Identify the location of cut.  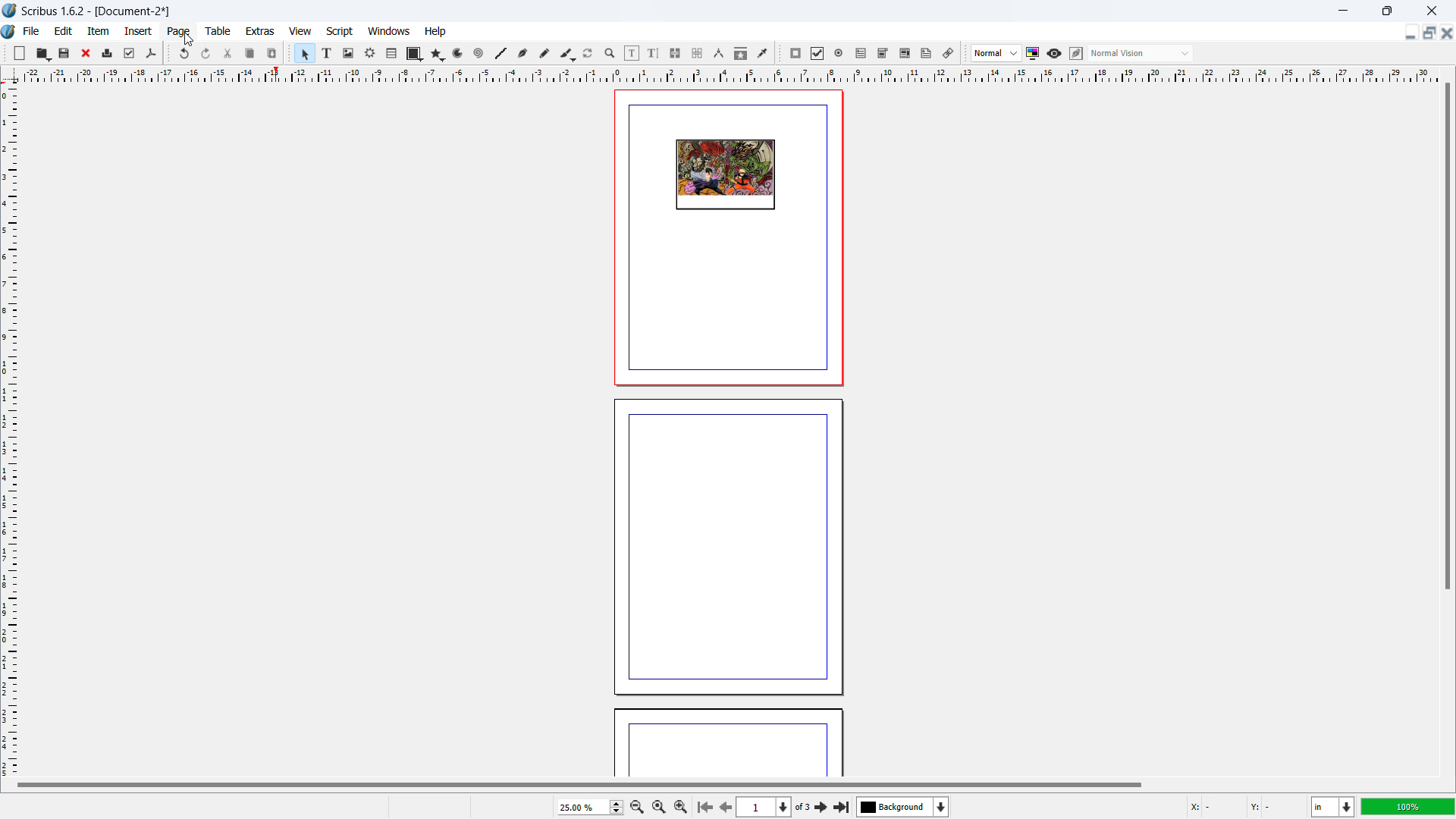
(229, 53).